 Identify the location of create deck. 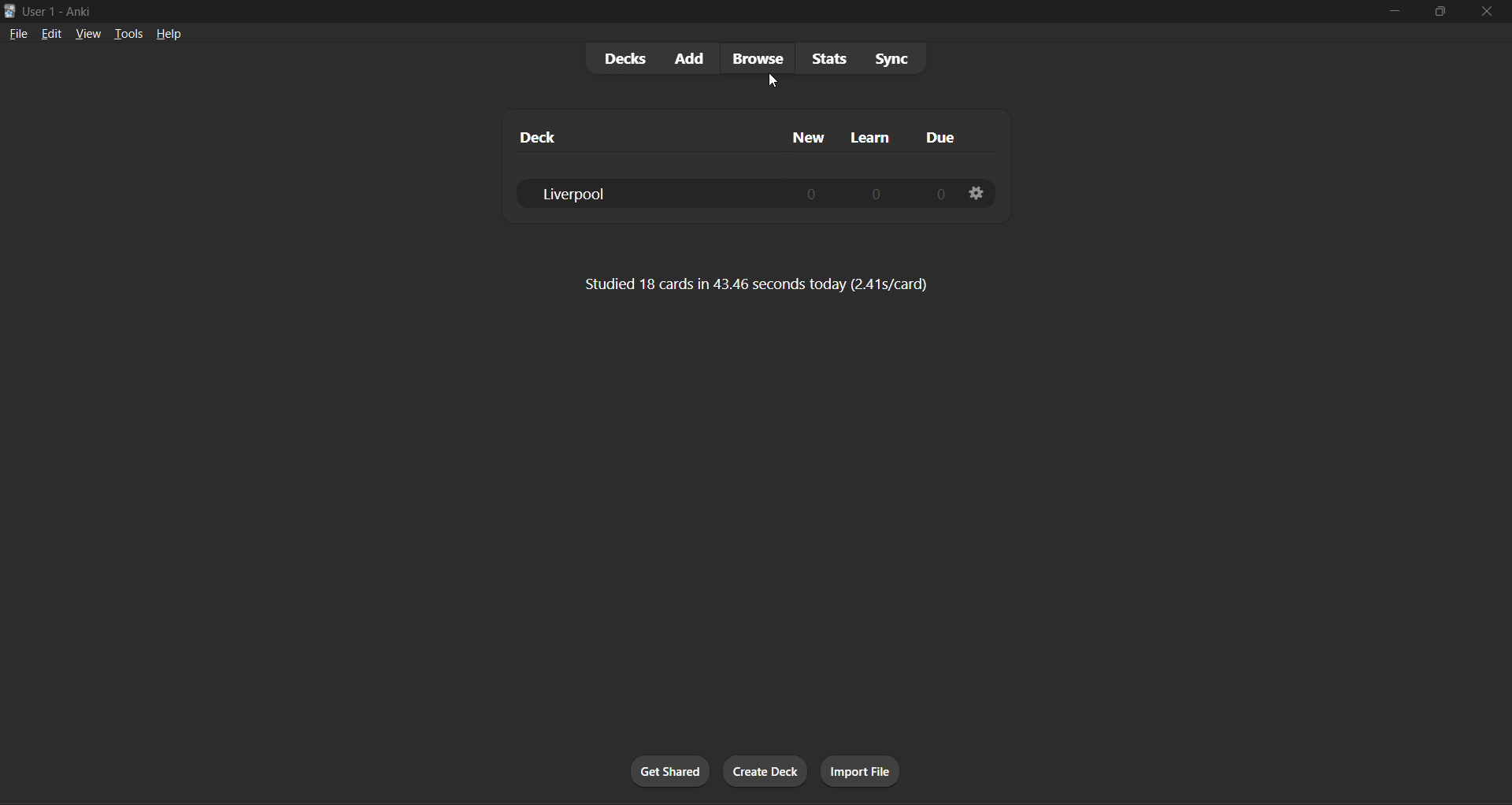
(765, 773).